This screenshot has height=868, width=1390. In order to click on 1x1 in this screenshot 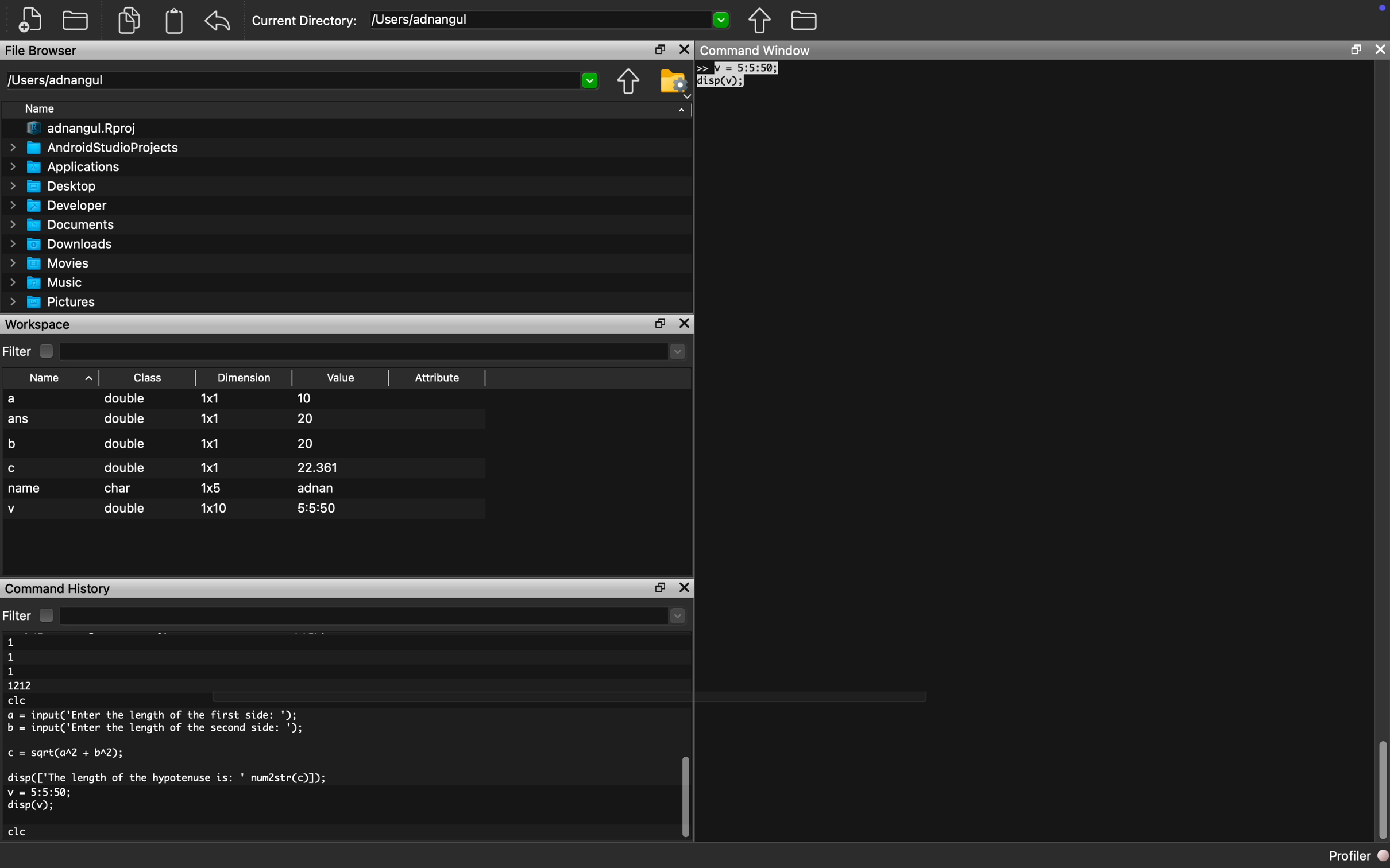, I will do `click(214, 398)`.